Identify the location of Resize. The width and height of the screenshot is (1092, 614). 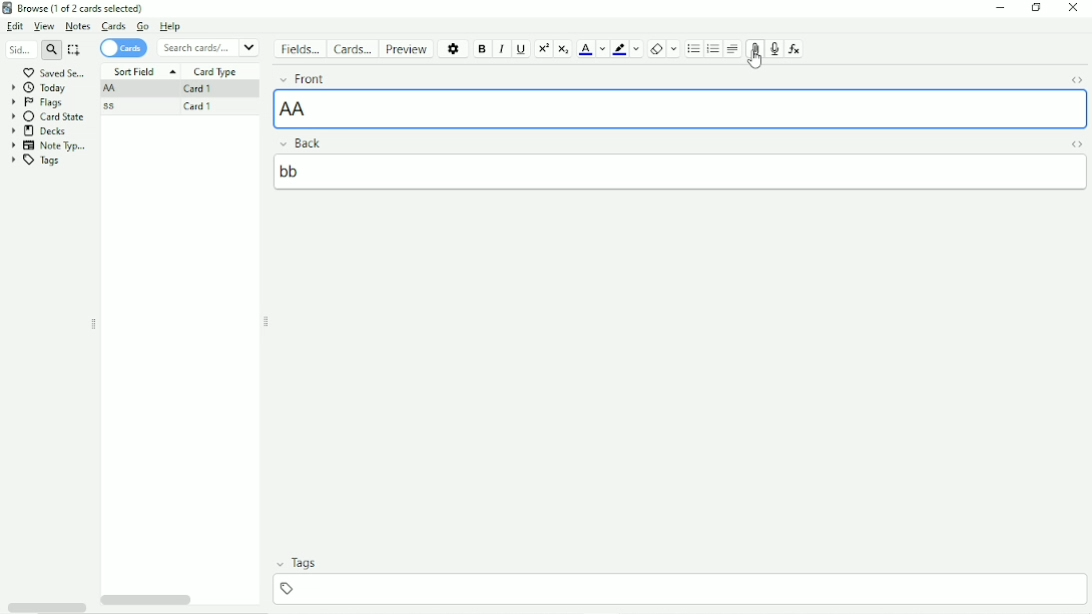
(269, 324).